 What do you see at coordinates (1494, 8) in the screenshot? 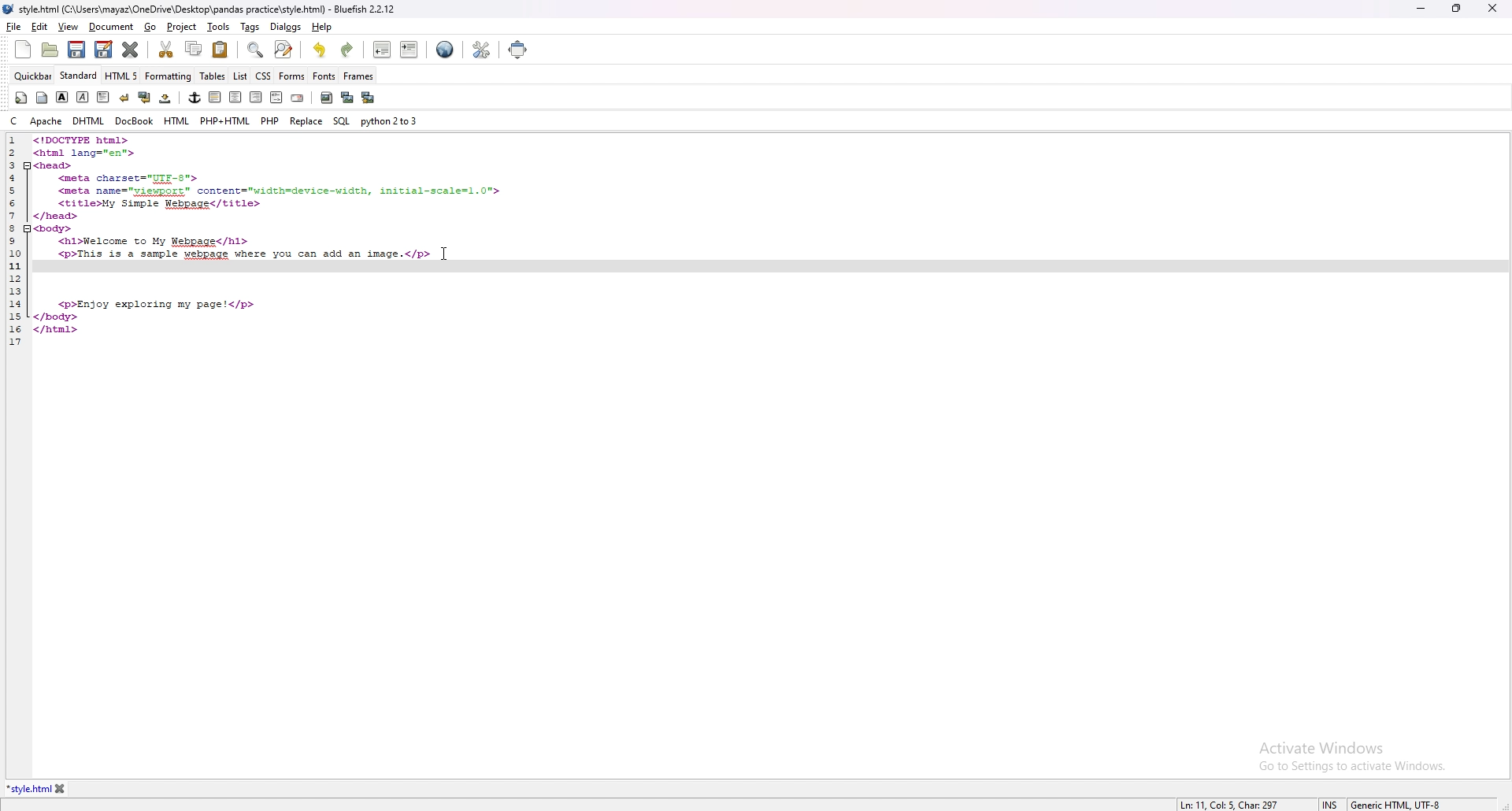
I see `close` at bounding box center [1494, 8].